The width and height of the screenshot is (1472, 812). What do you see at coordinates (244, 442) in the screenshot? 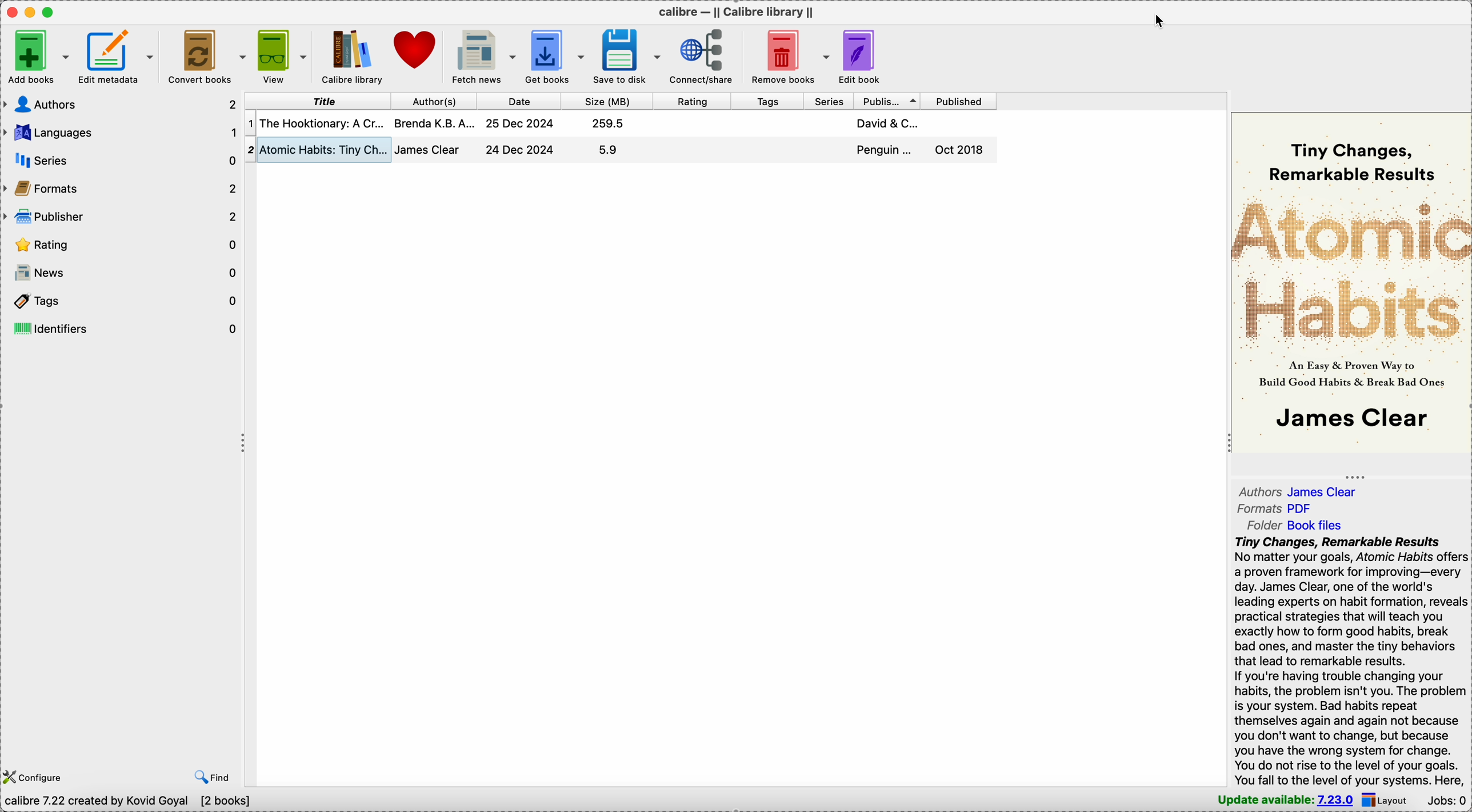
I see `toggle expand/contract` at bounding box center [244, 442].